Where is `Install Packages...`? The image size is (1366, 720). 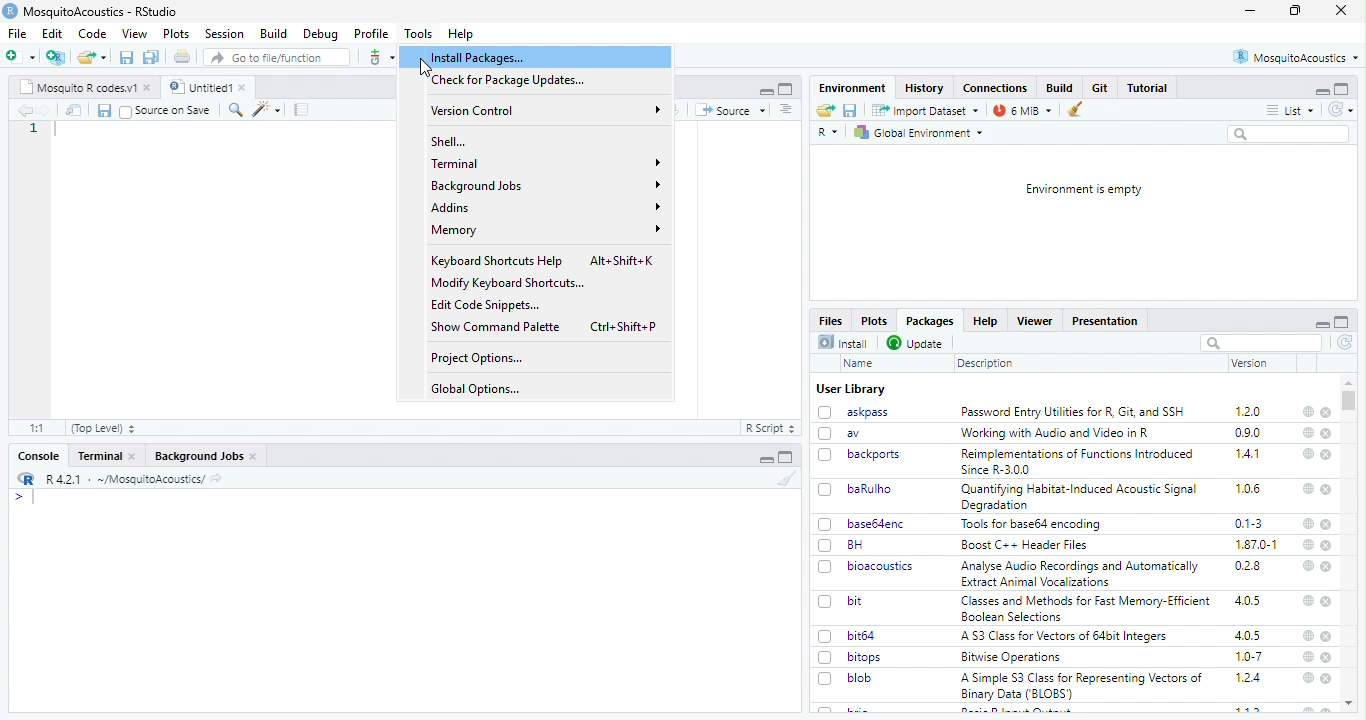
Install Packages... is located at coordinates (484, 58).